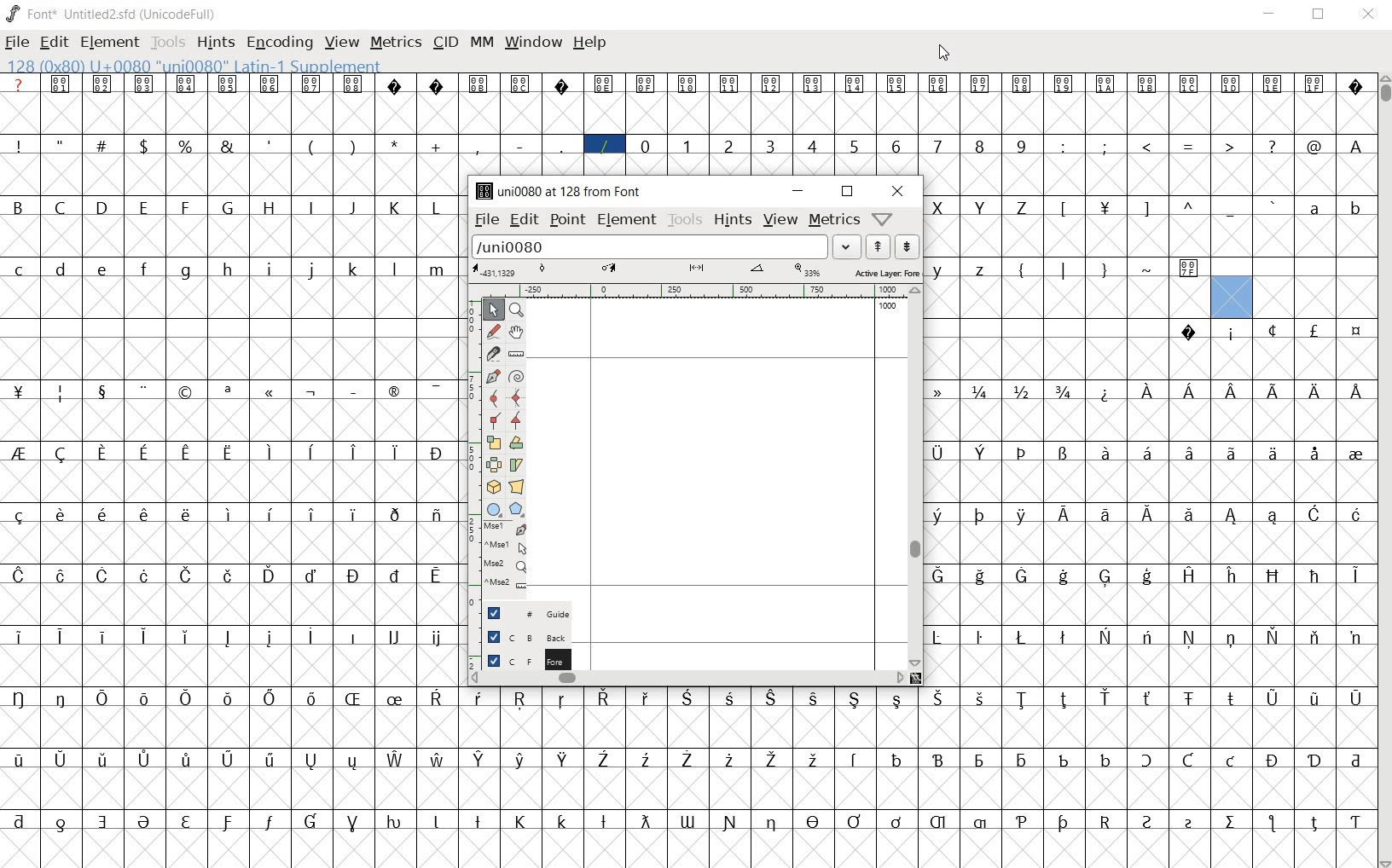 This screenshot has height=868, width=1392. I want to click on HINTS, so click(214, 42).